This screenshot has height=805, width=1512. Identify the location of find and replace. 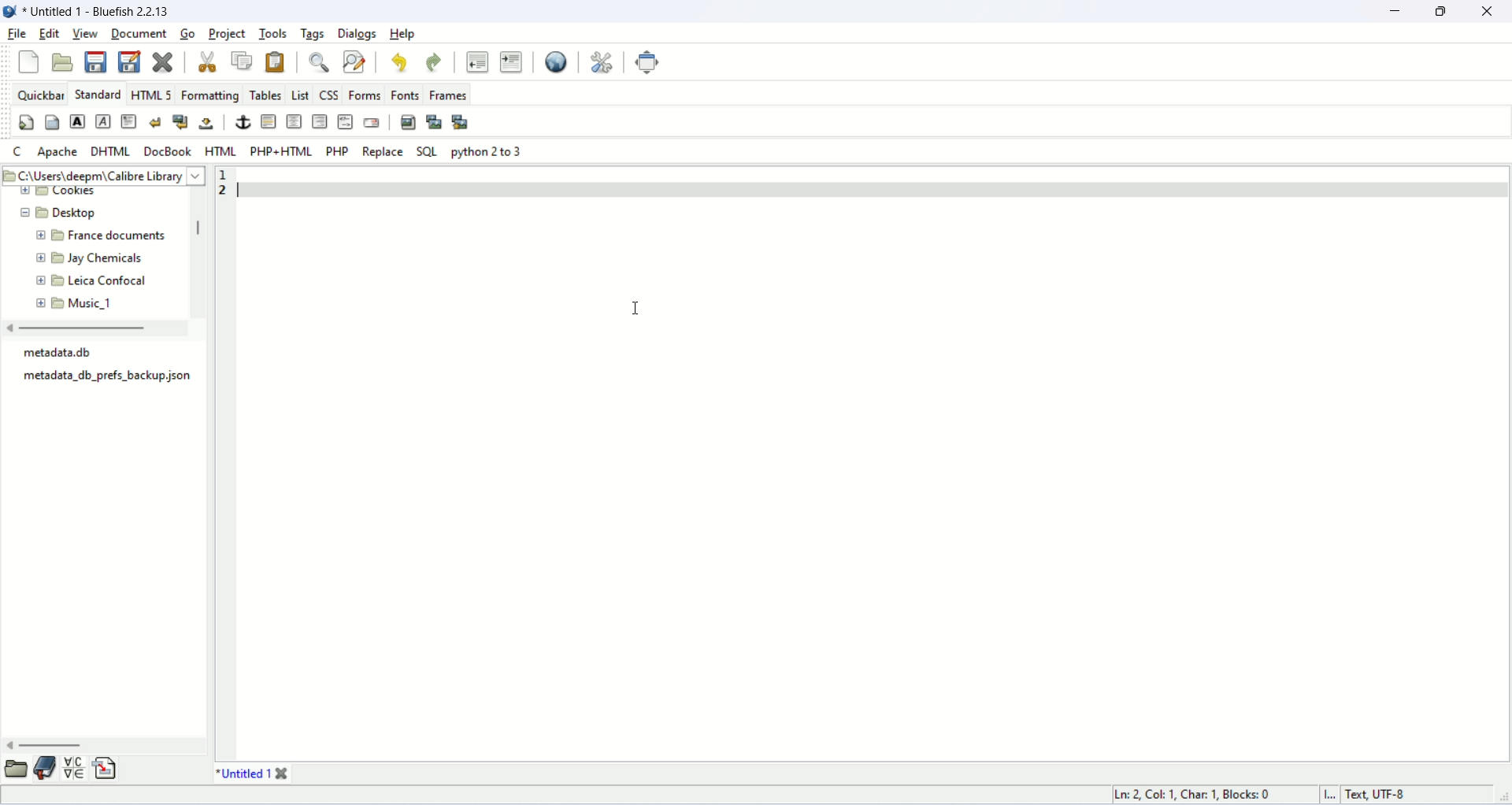
(357, 63).